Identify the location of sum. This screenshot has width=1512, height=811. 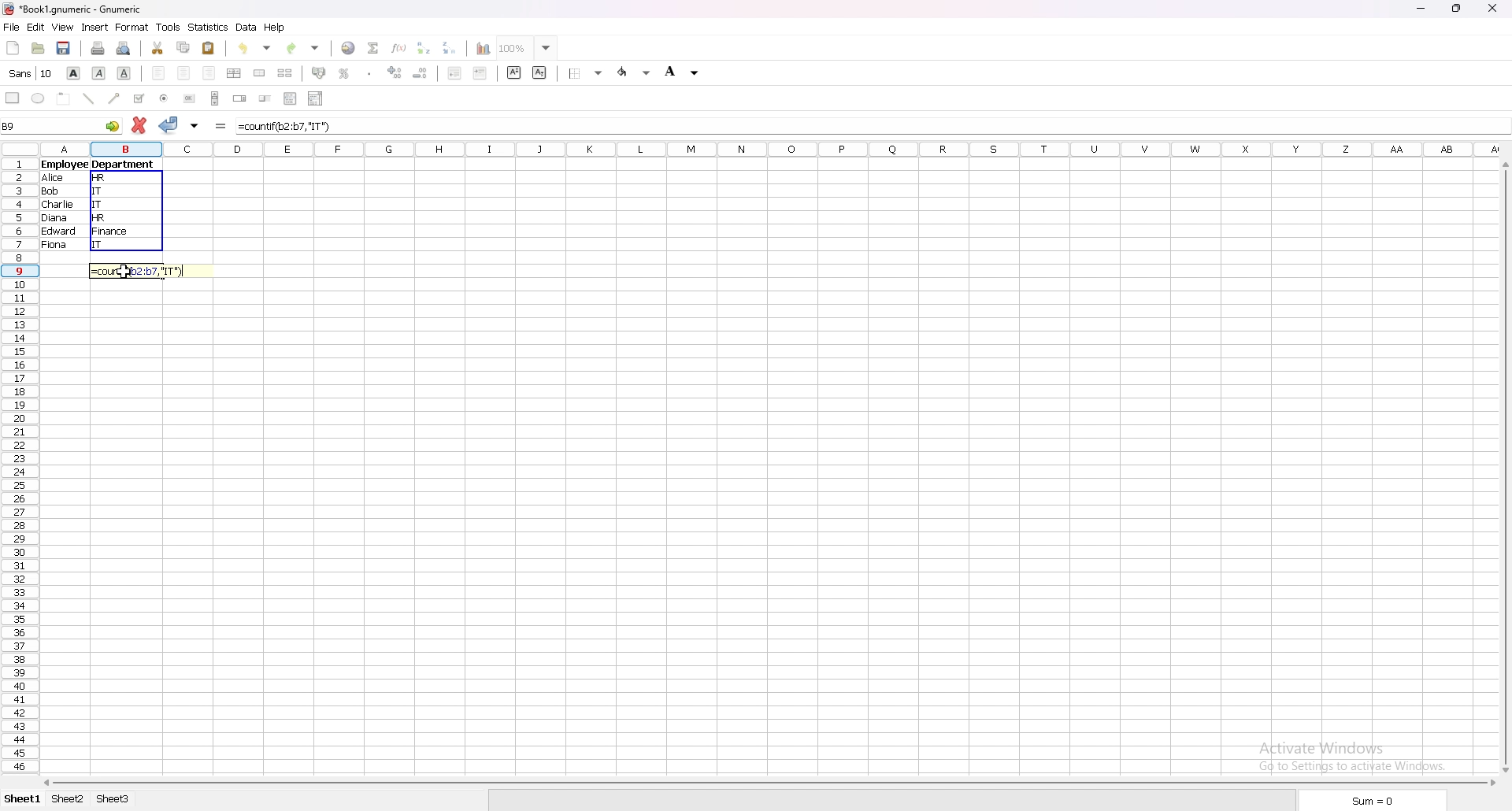
(1369, 802).